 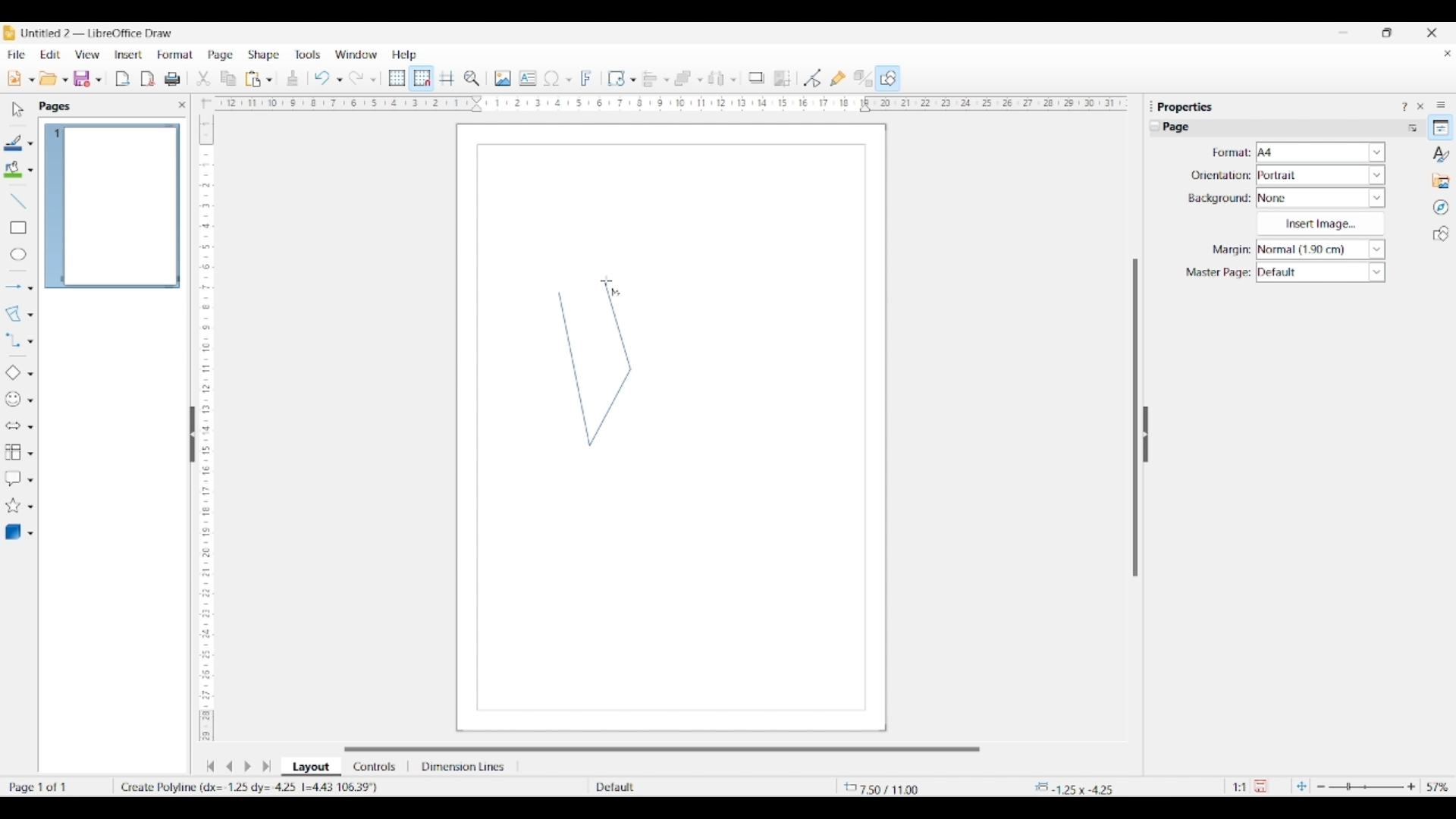 What do you see at coordinates (1441, 234) in the screenshot?
I see `Shapes` at bounding box center [1441, 234].